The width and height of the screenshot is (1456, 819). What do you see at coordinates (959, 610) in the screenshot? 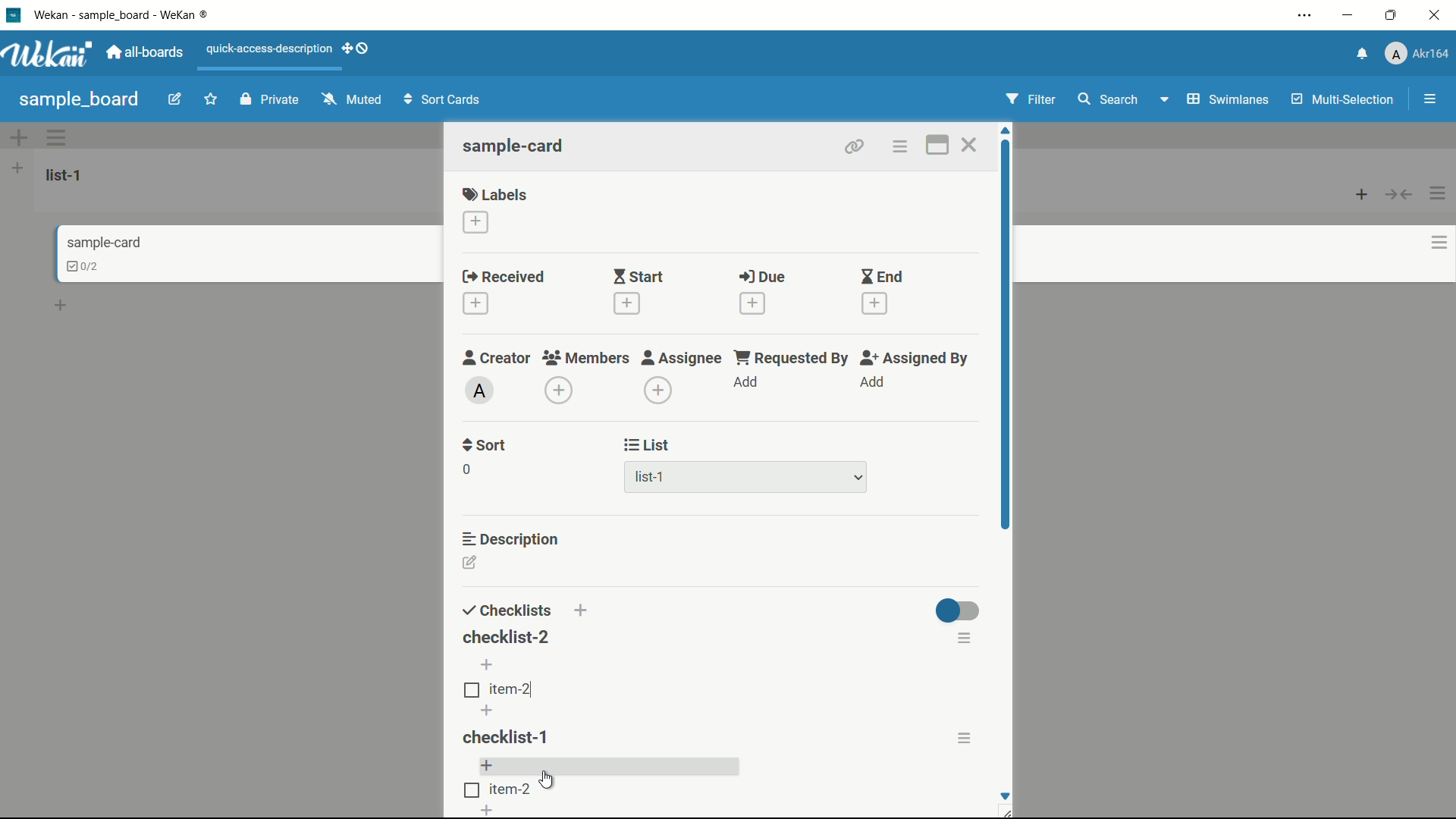
I see `toggle button` at bounding box center [959, 610].